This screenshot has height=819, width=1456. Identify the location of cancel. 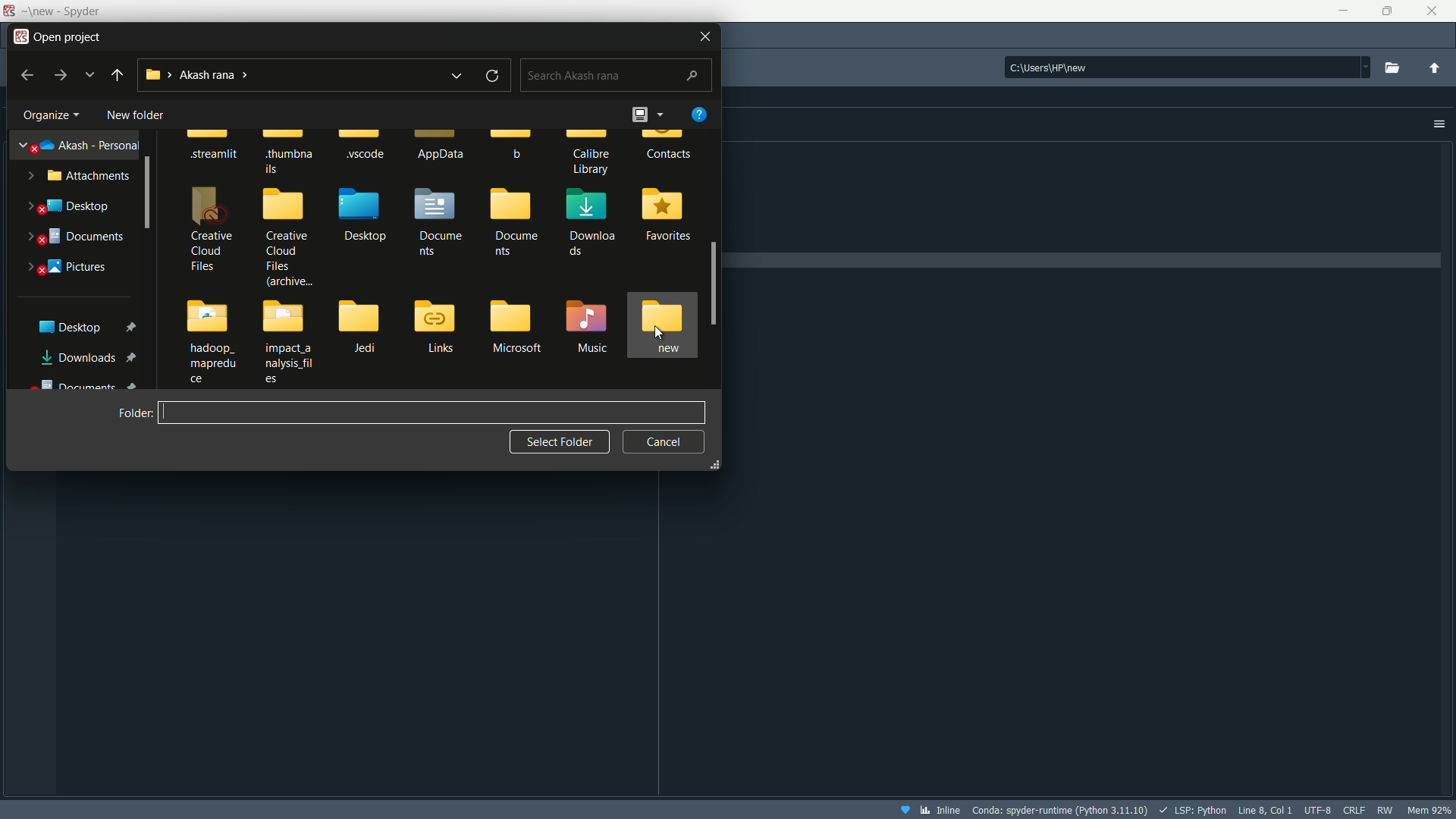
(664, 441).